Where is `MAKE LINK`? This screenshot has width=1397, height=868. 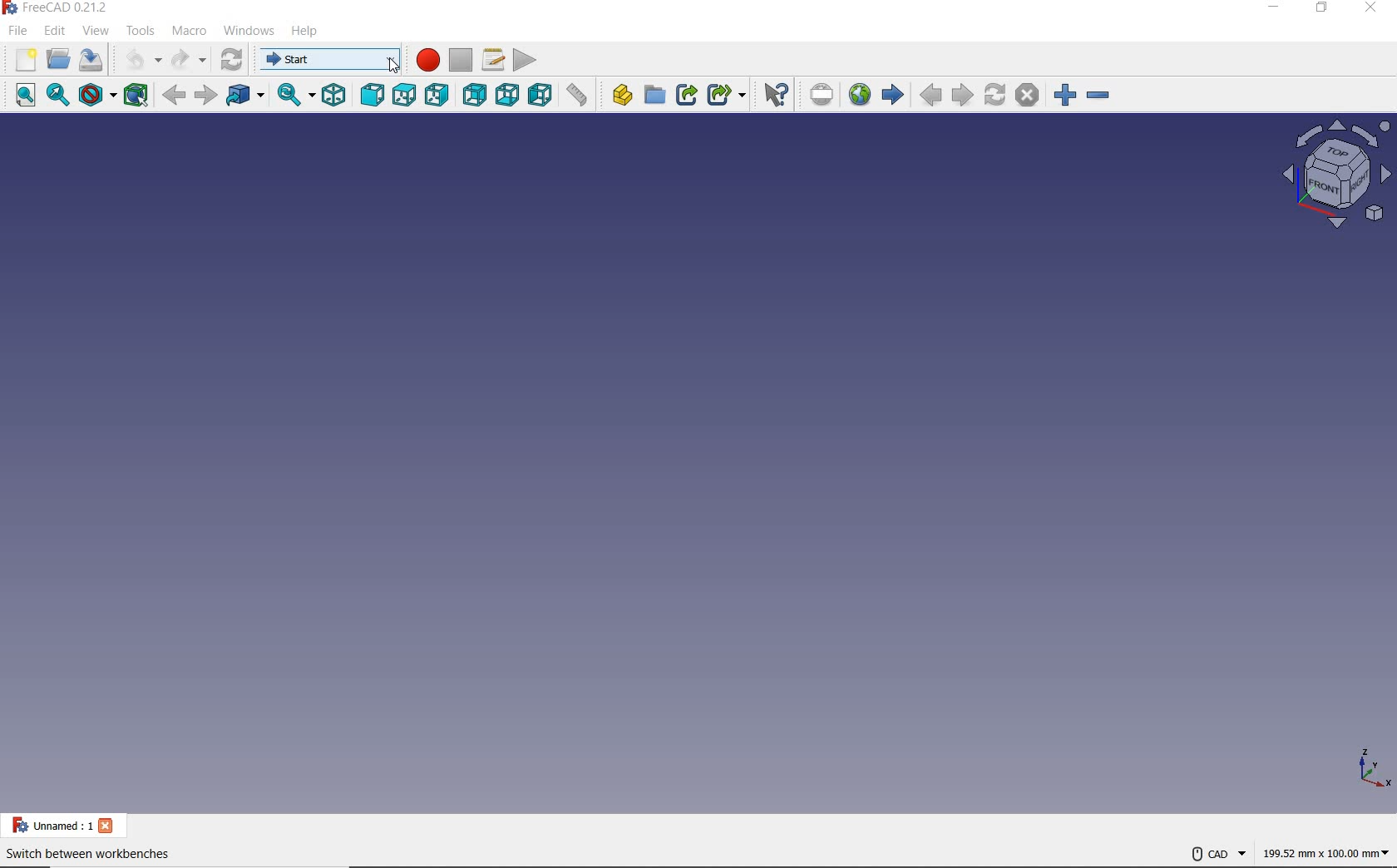 MAKE LINK is located at coordinates (688, 94).